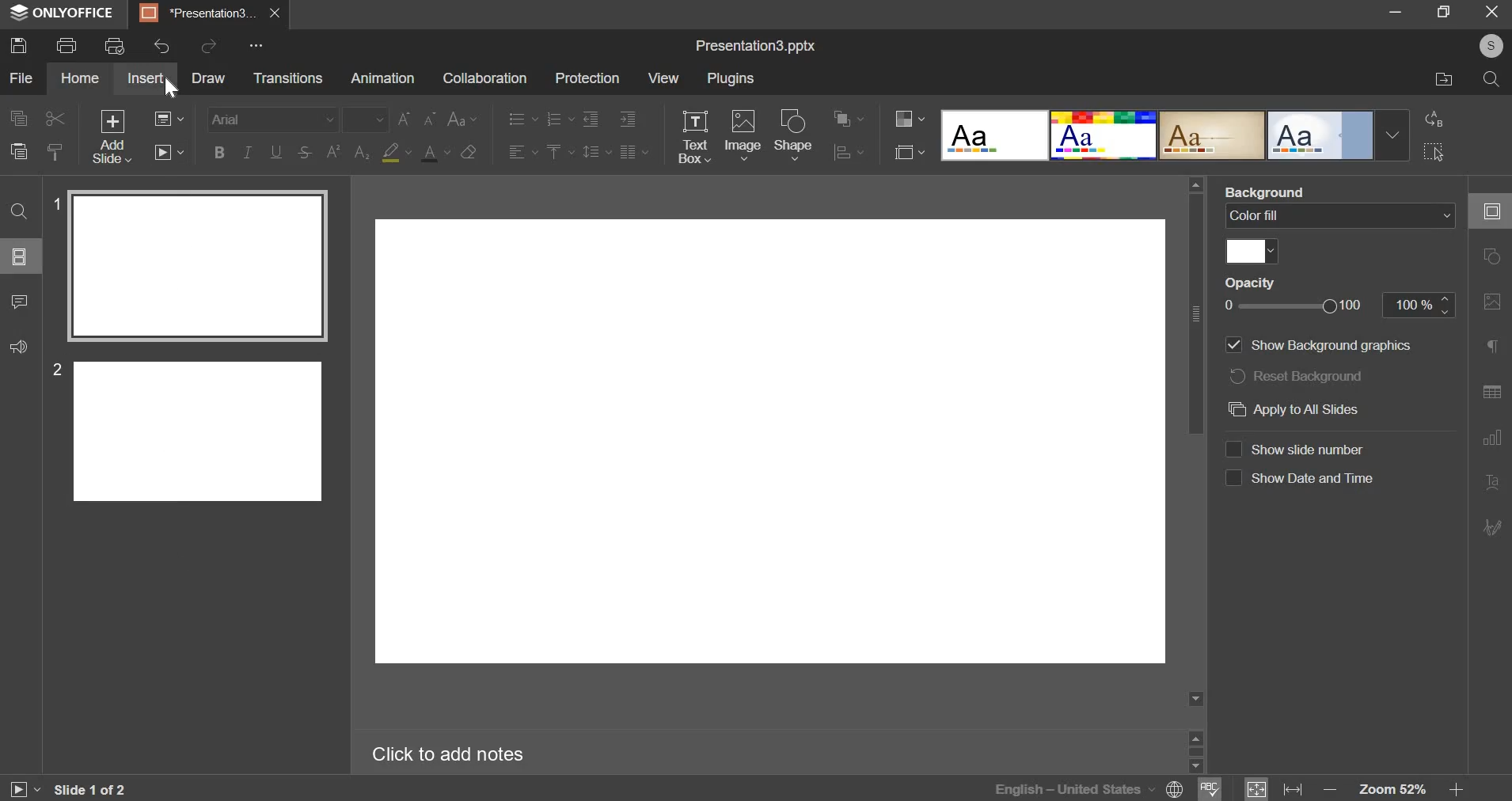 The width and height of the screenshot is (1512, 801). Describe the element at coordinates (1321, 410) in the screenshot. I see `apply to all slides` at that location.